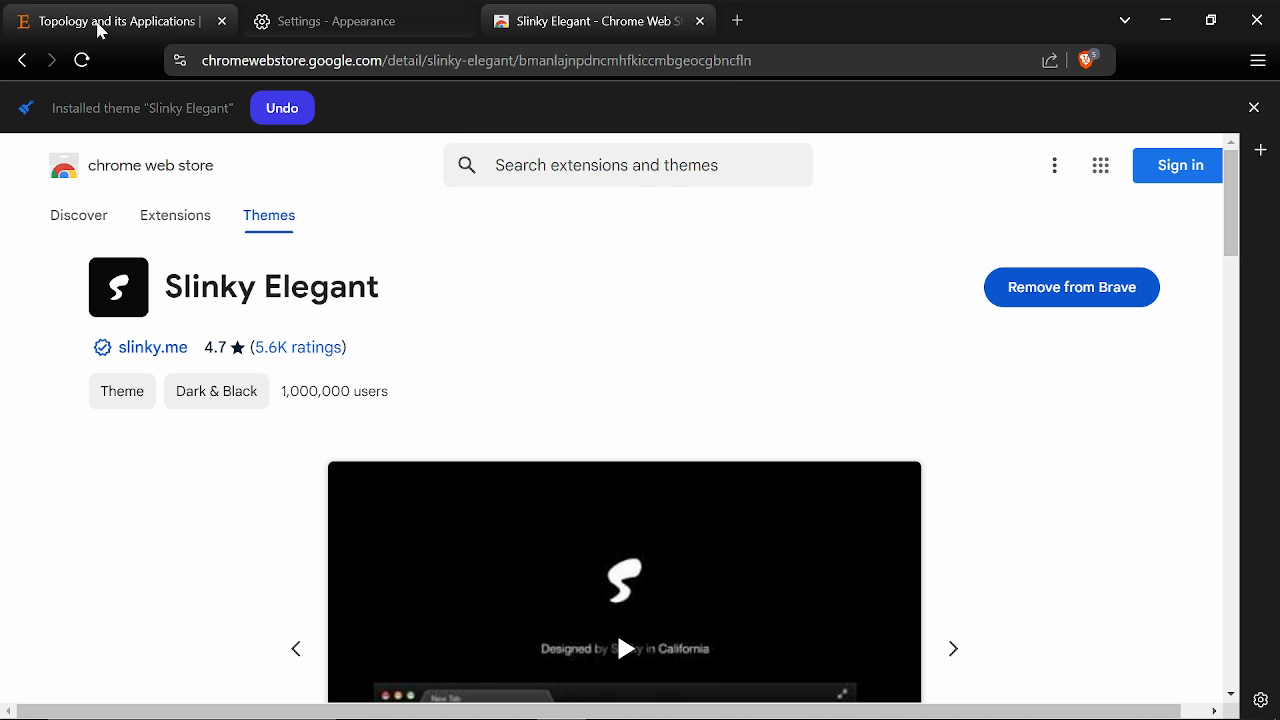 This screenshot has height=720, width=1280. Describe the element at coordinates (83, 63) in the screenshot. I see `Refesh` at that location.